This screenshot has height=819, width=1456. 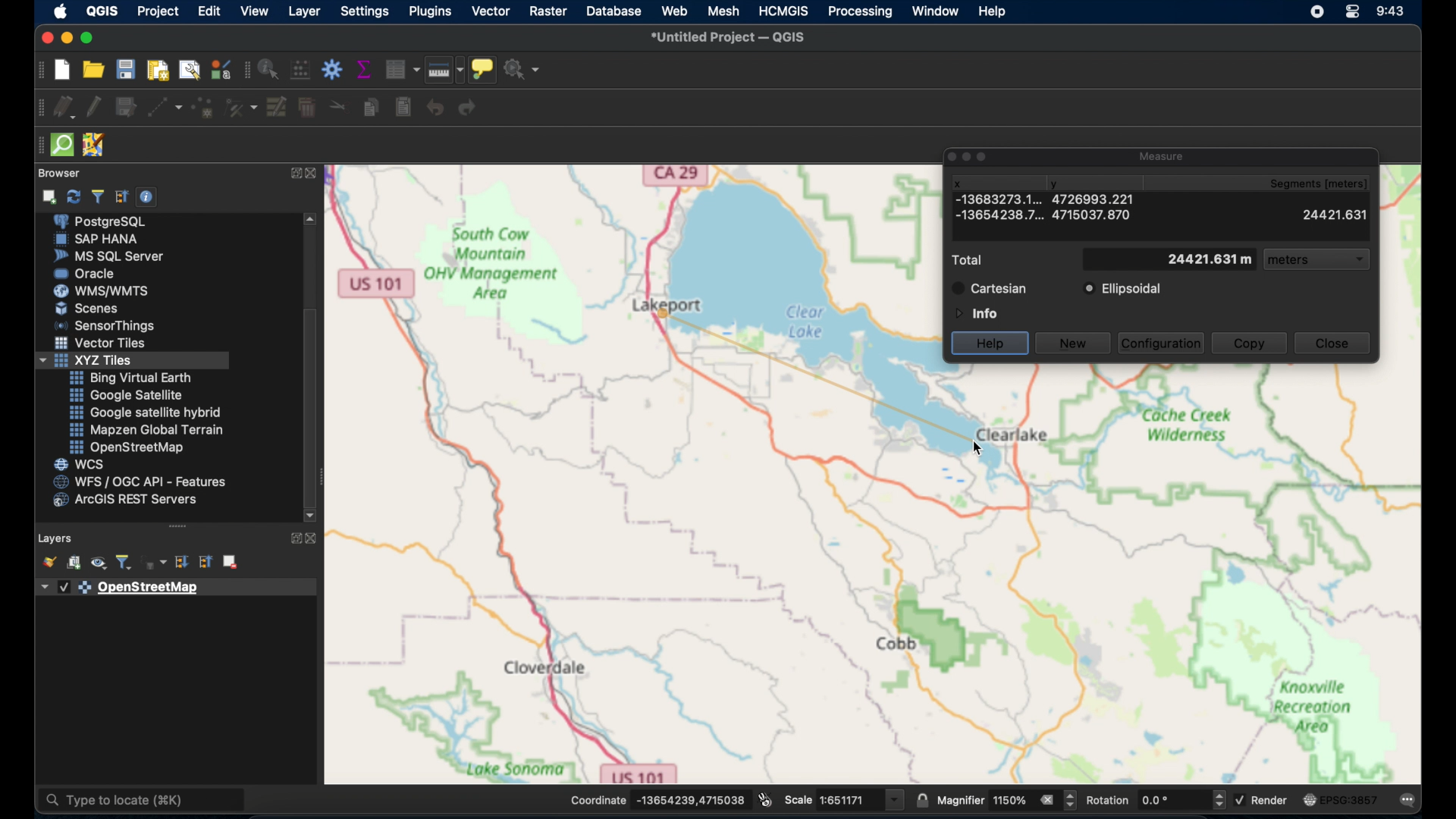 What do you see at coordinates (1163, 154) in the screenshot?
I see `measure` at bounding box center [1163, 154].